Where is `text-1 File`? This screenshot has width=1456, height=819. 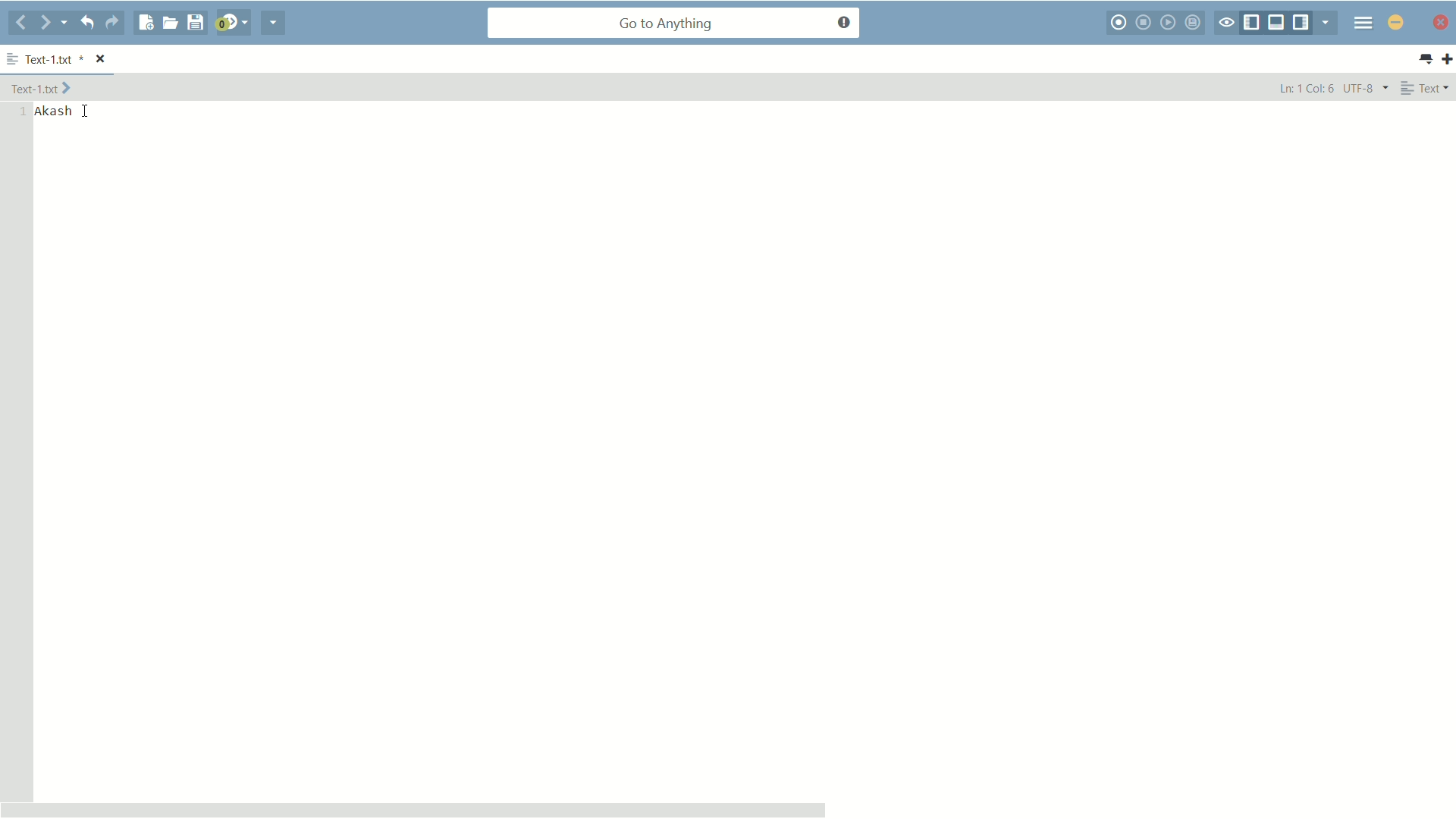 text-1 File is located at coordinates (41, 87).